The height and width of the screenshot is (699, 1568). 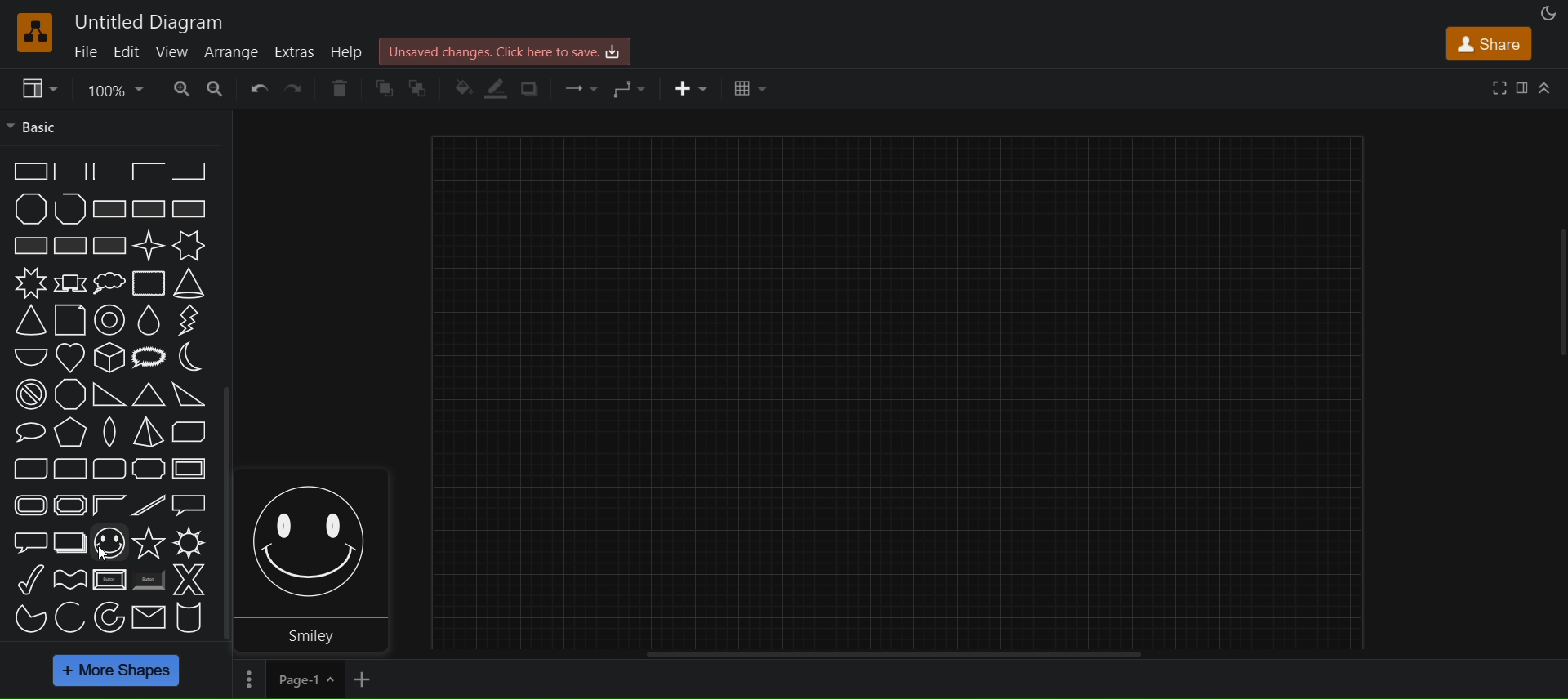 I want to click on pyramid, so click(x=69, y=432).